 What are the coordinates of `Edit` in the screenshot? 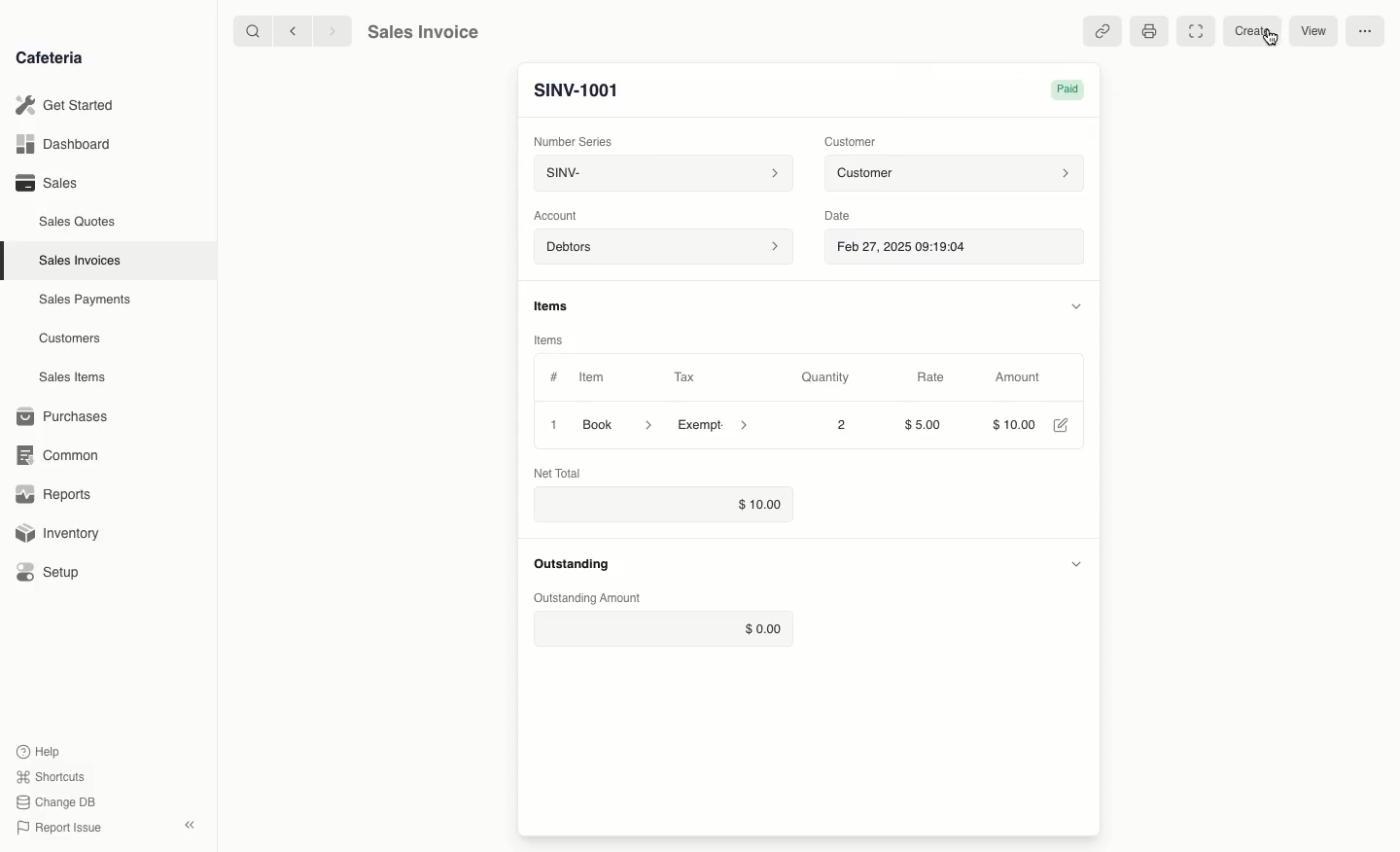 It's located at (1061, 425).